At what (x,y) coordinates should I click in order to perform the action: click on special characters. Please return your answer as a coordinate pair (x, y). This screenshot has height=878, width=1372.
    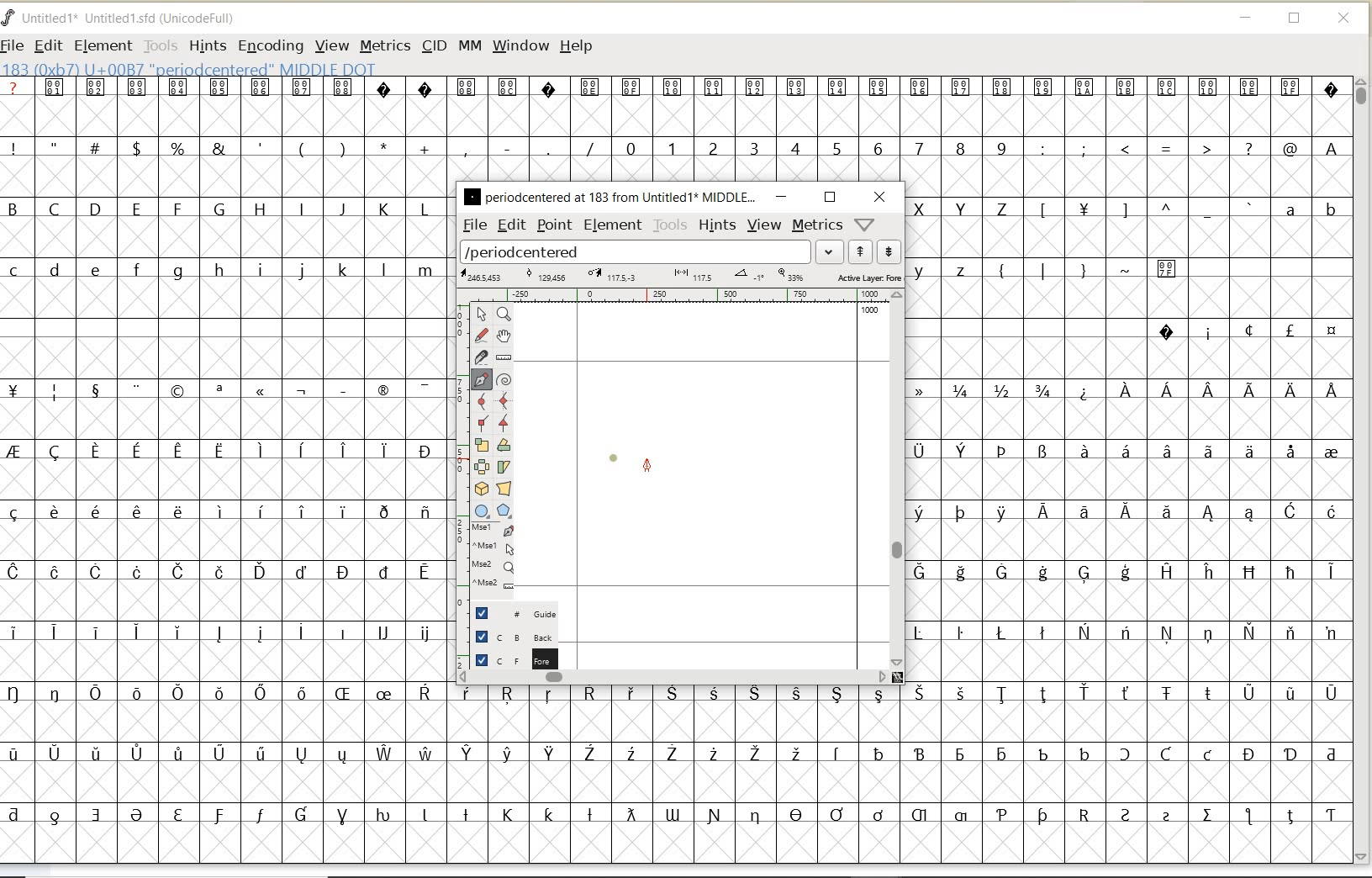
    Looking at the image, I should click on (895, 761).